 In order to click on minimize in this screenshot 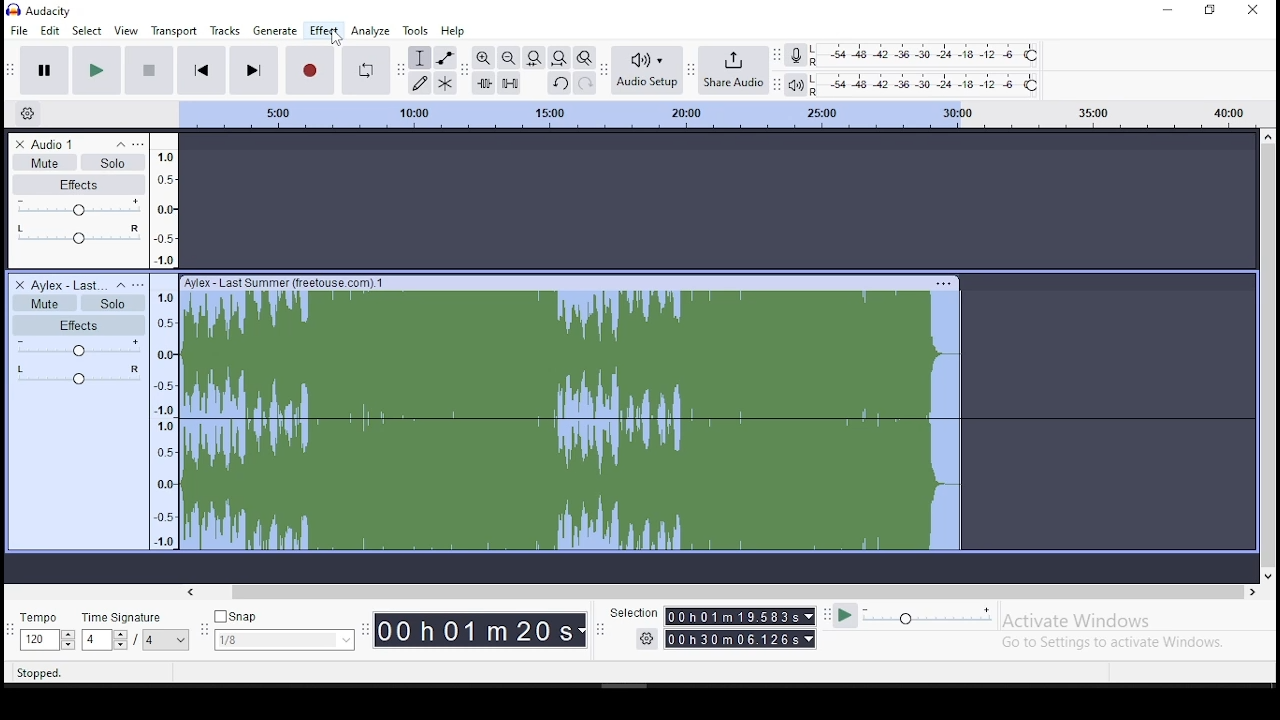, I will do `click(1165, 10)`.